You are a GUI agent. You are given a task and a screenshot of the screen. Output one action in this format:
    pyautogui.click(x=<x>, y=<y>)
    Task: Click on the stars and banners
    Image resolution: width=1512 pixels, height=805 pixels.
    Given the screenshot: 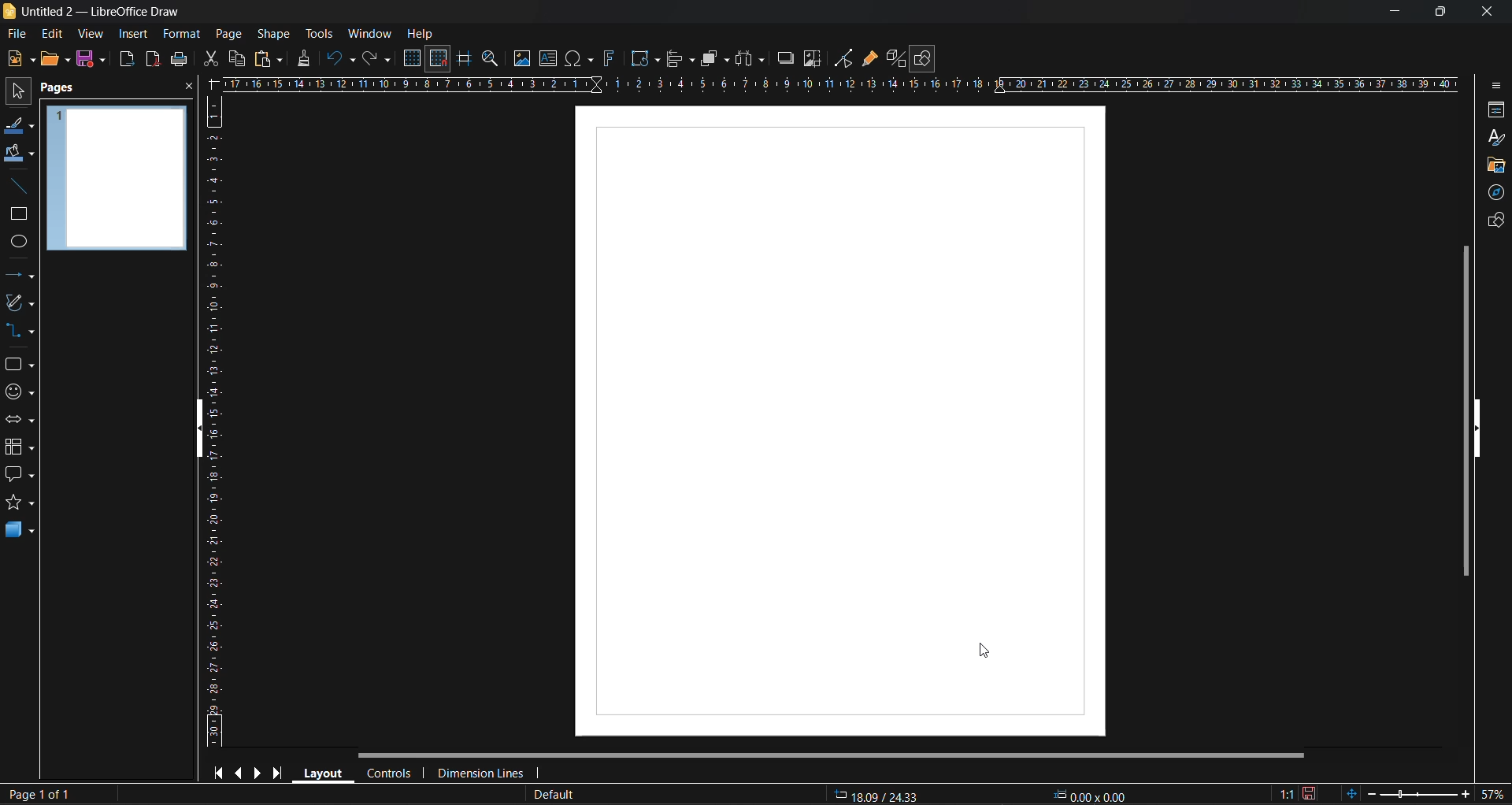 What is the action you would take?
    pyautogui.click(x=20, y=503)
    